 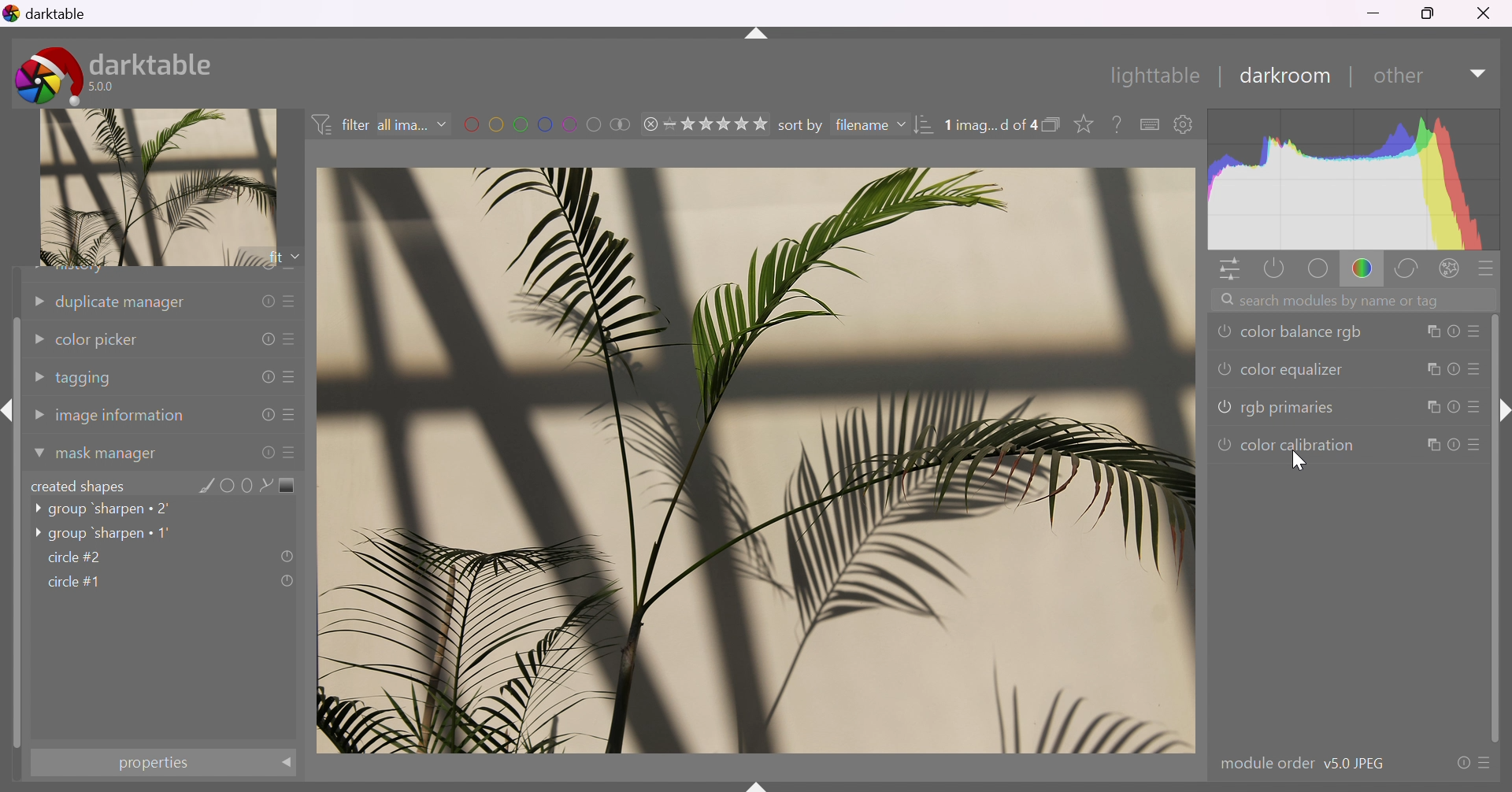 I want to click on image preview, so click(x=160, y=189).